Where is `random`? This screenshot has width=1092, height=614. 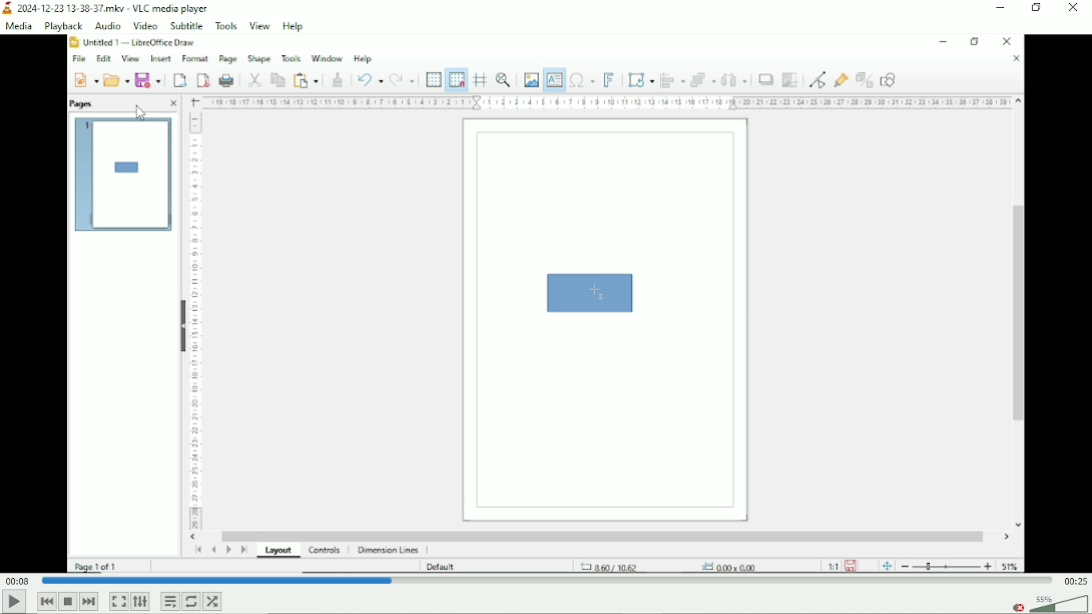
random is located at coordinates (213, 601).